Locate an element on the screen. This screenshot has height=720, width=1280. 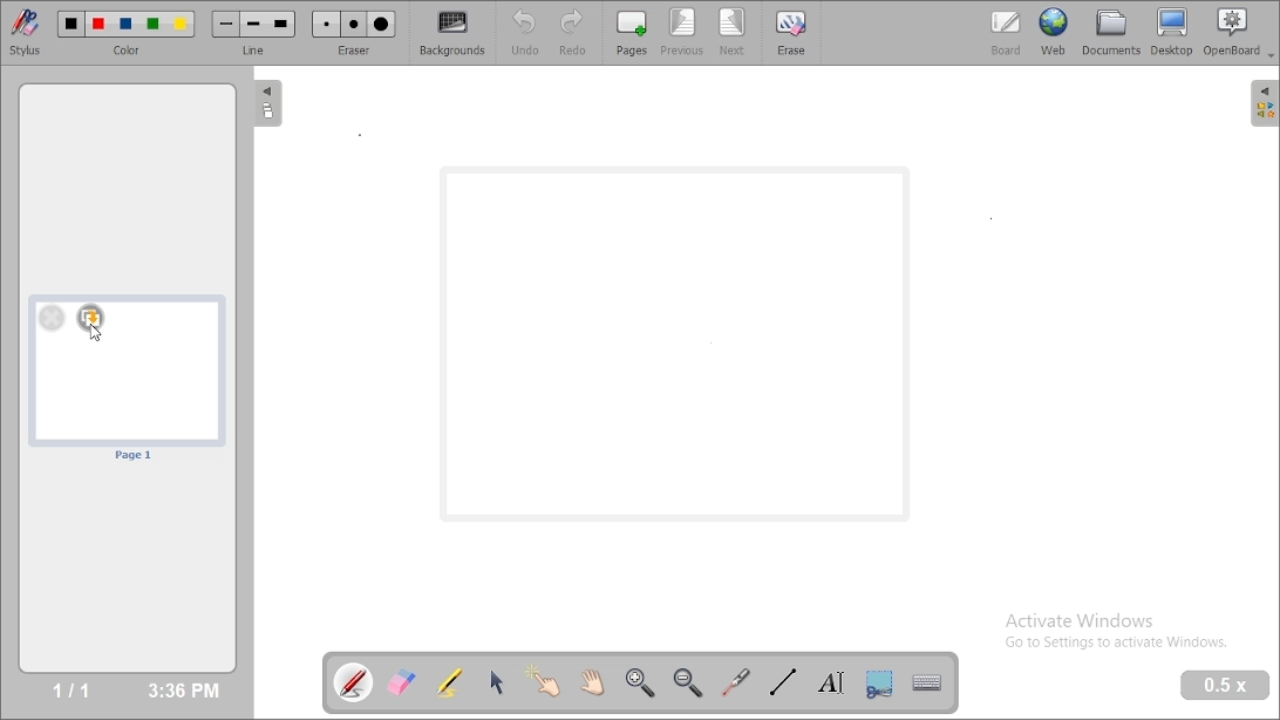
Activate Windows
Go to Settings to activate Windows. is located at coordinates (1122, 634).